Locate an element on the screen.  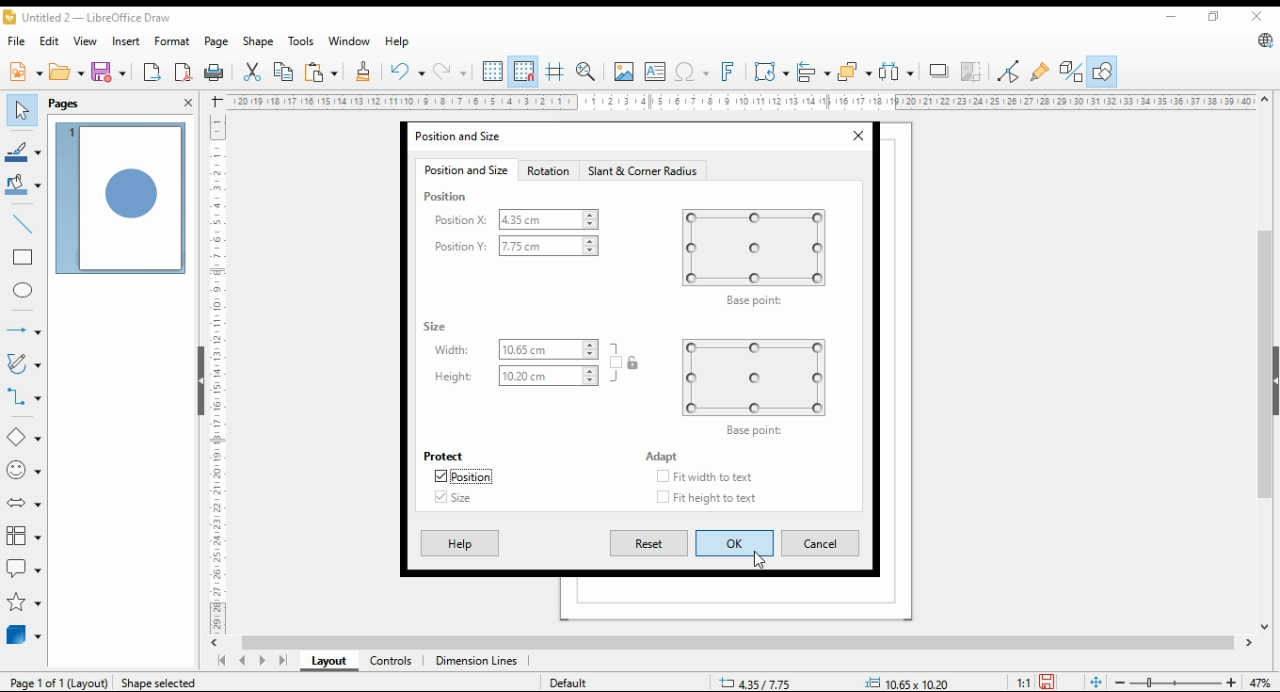
align objects is located at coordinates (813, 73).